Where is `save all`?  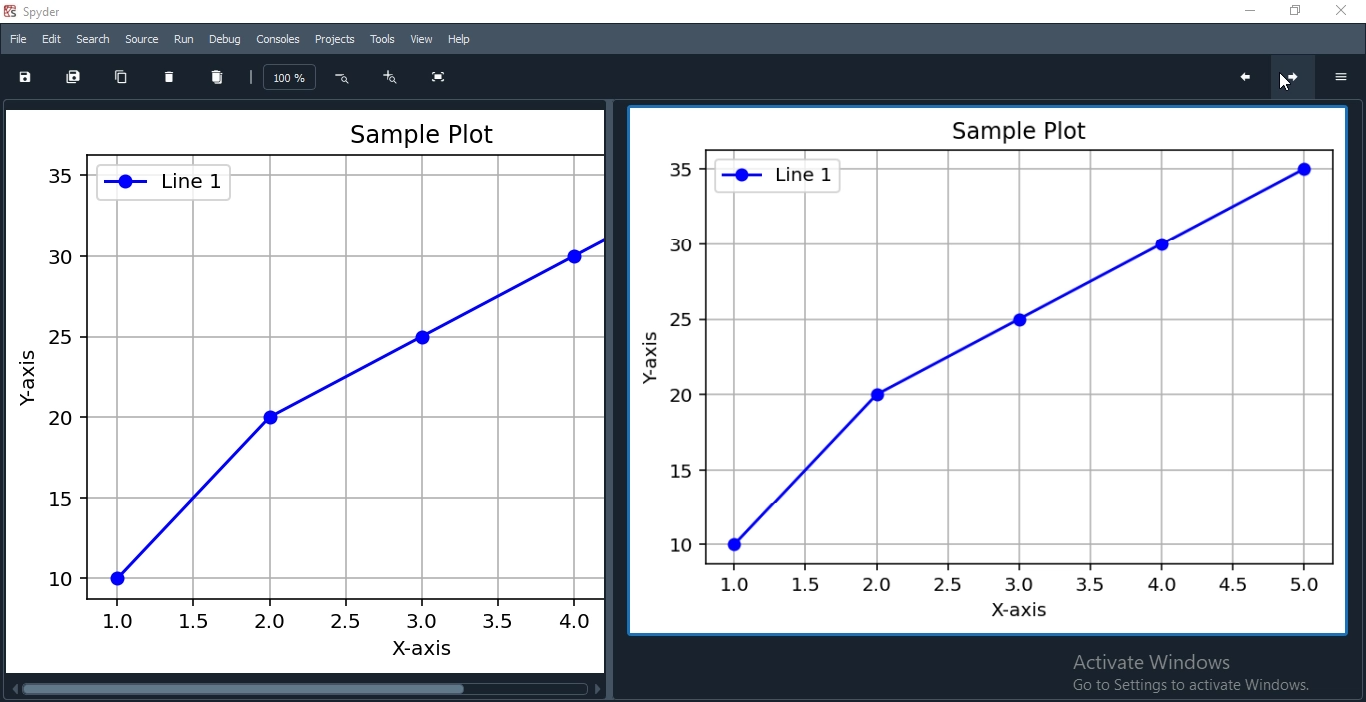
save all is located at coordinates (74, 76).